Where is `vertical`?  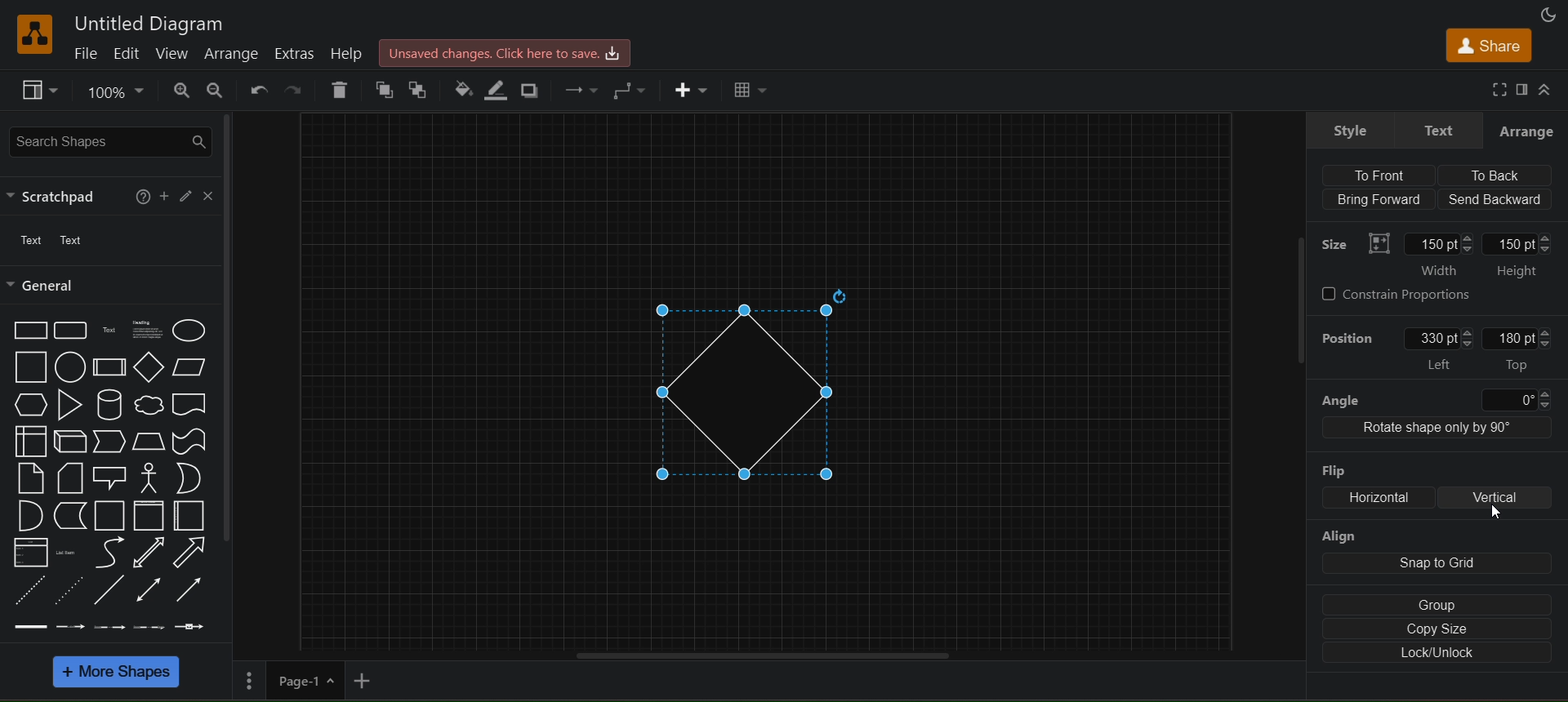
vertical is located at coordinates (1532, 532).